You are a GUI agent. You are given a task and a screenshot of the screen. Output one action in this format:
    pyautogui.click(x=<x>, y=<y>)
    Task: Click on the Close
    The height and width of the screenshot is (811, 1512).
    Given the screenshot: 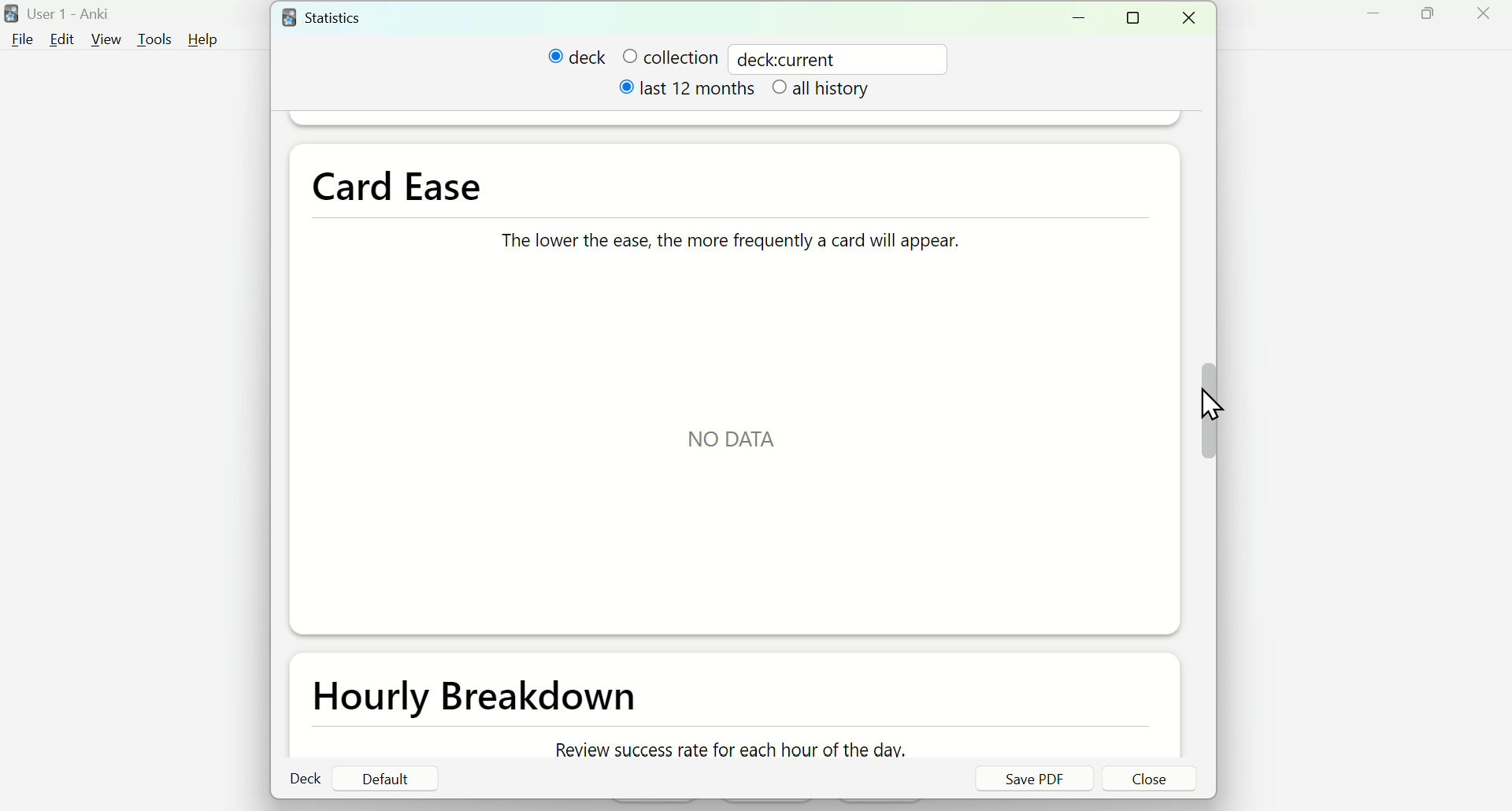 What is the action you would take?
    pyautogui.click(x=1194, y=18)
    